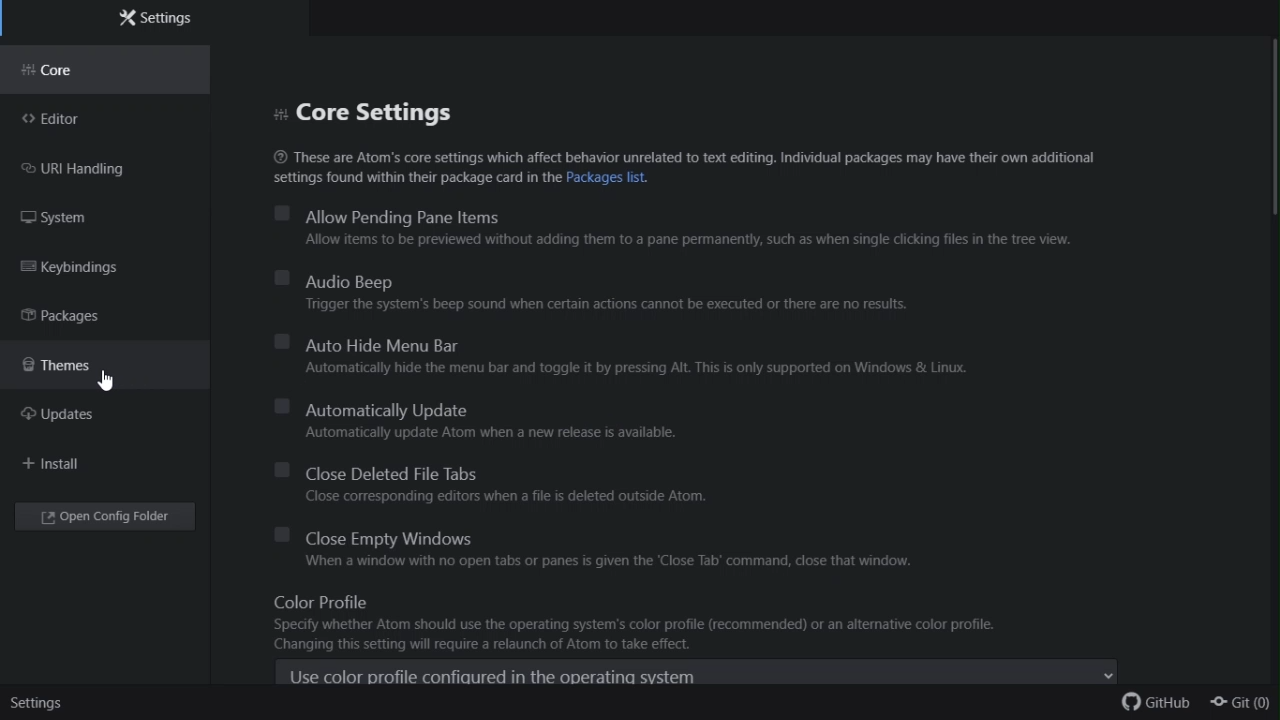  I want to click on These are Atom's core settings which affect behavior unrelated to text editing, Individual packages may have their own additional settings found within ther package card in the Packages Ist, so click(705, 165).